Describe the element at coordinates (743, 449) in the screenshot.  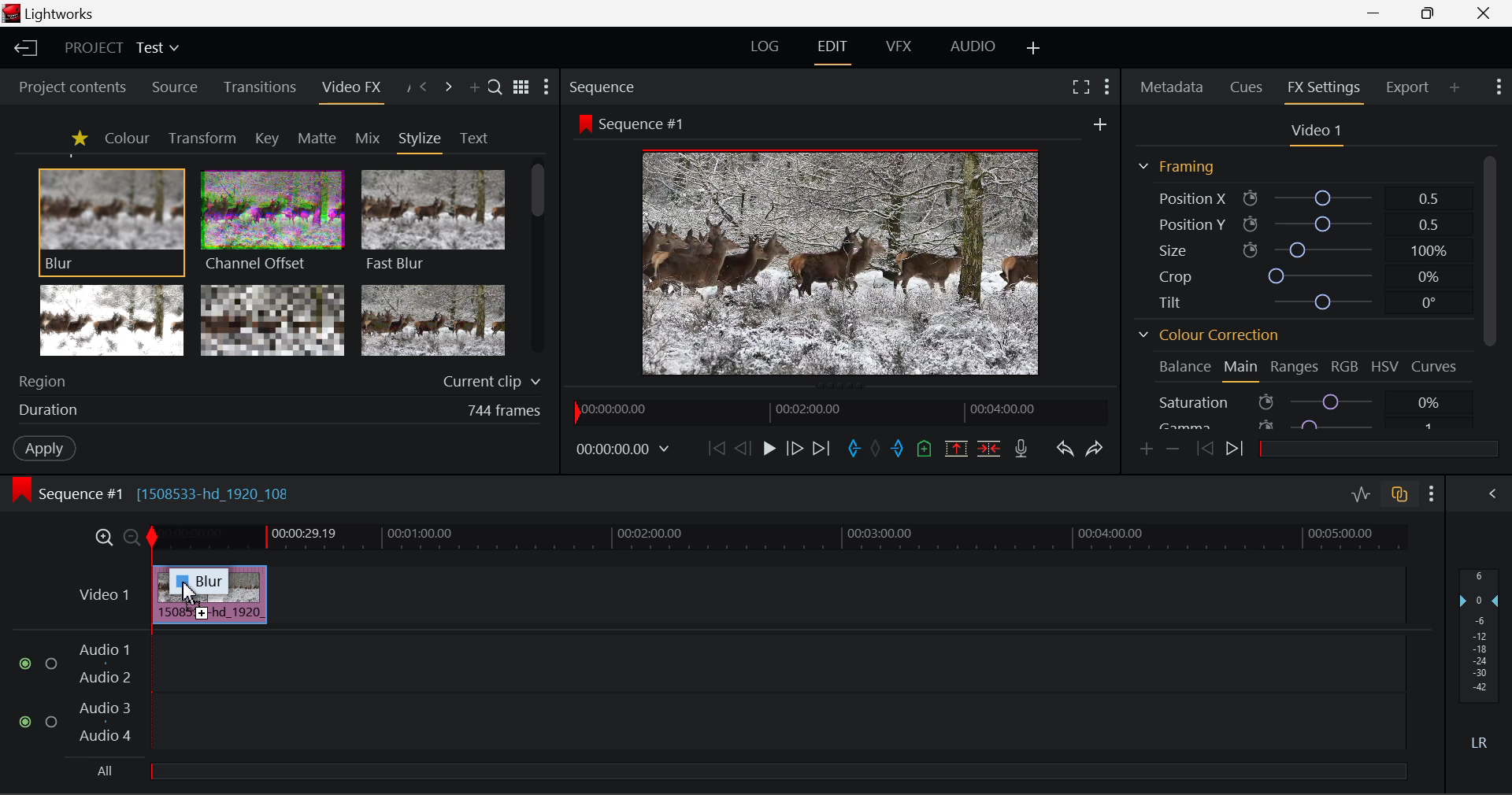
I see `Go Back` at that location.